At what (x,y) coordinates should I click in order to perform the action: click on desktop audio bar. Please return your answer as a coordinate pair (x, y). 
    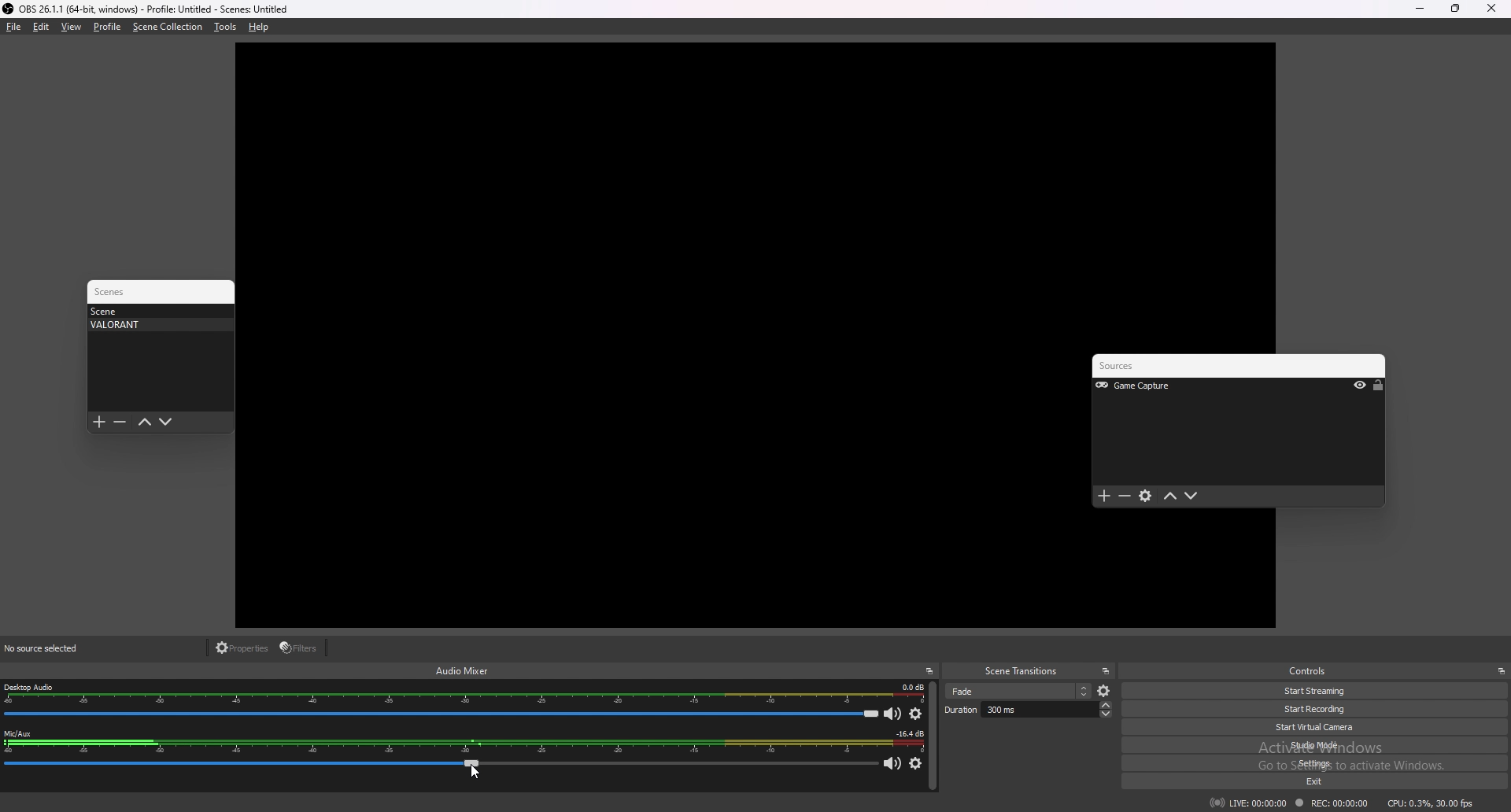
    Looking at the image, I should click on (441, 714).